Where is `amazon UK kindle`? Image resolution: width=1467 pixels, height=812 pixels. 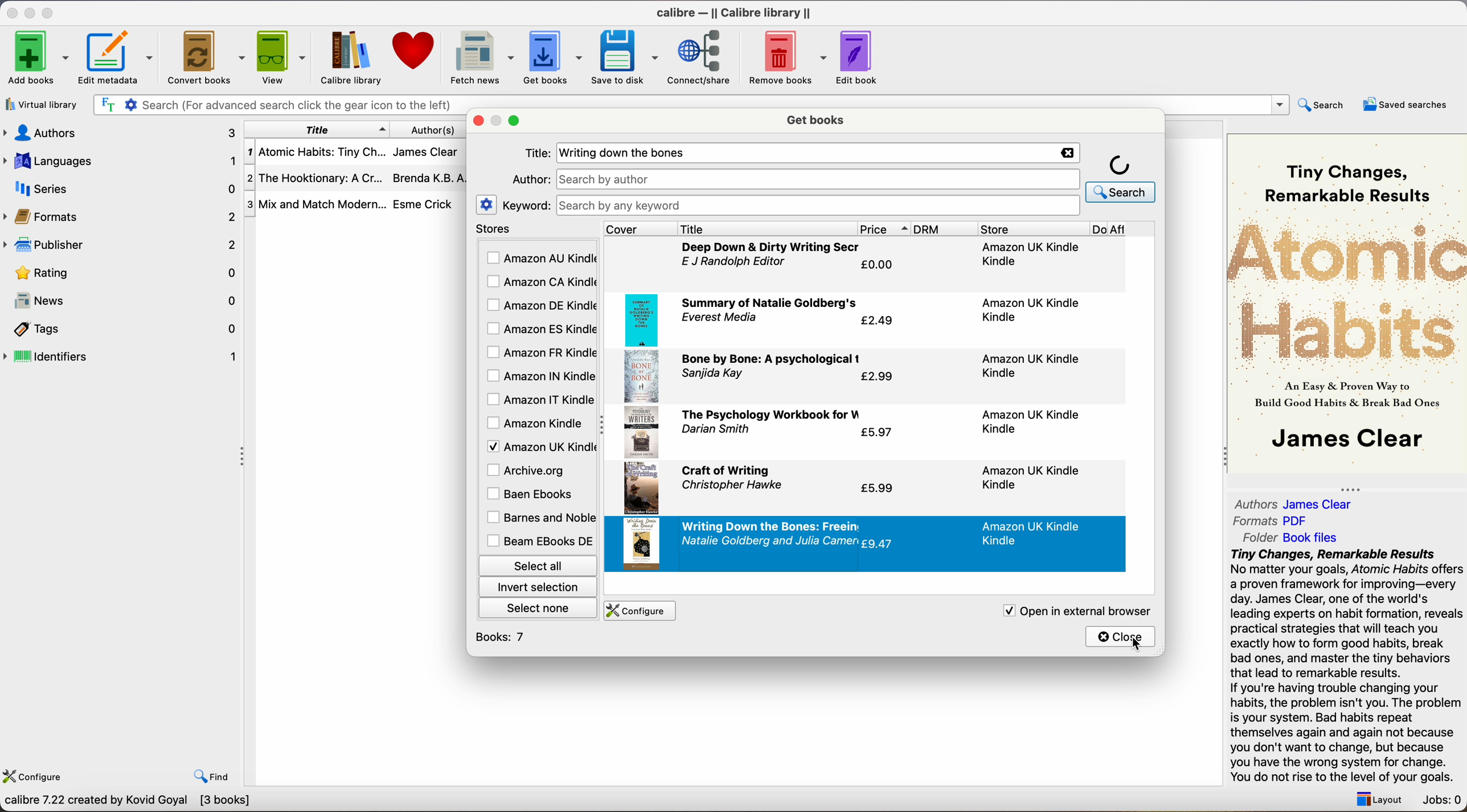 amazon UK kindle is located at coordinates (1026, 478).